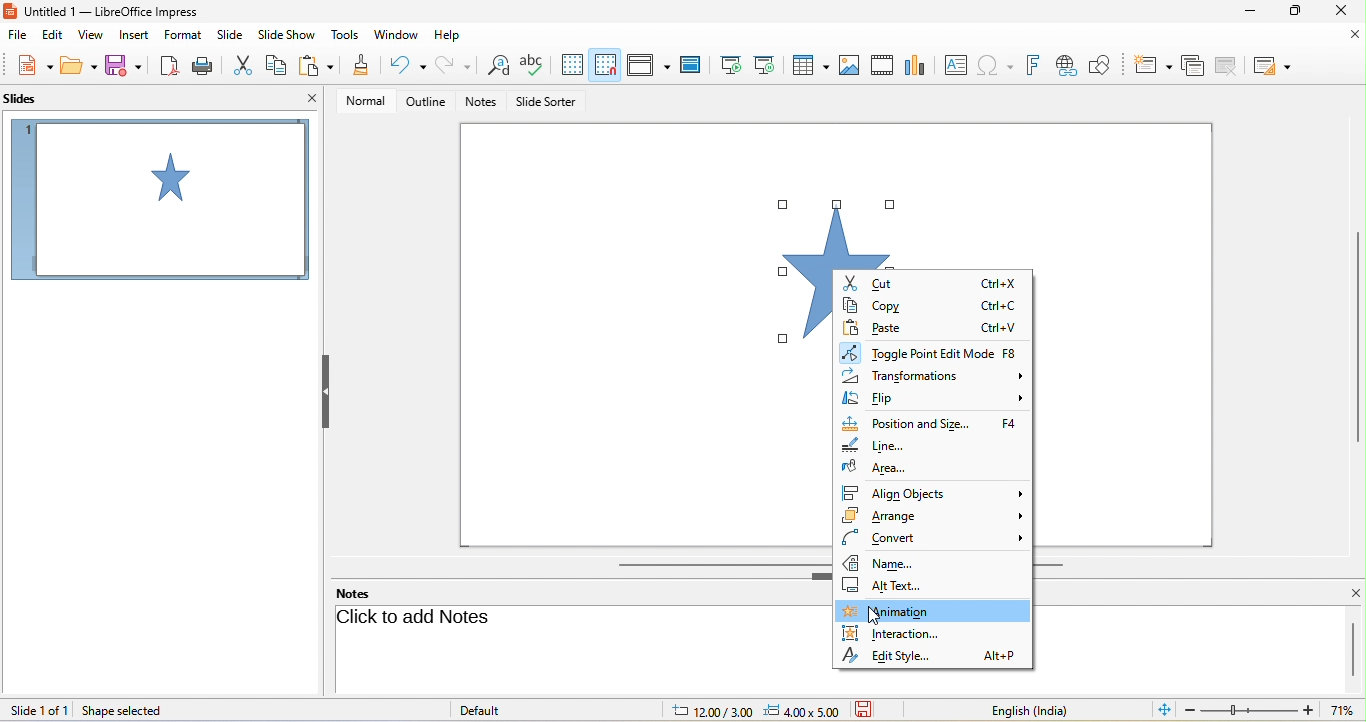  Describe the element at coordinates (1296, 10) in the screenshot. I see `maximize` at that location.